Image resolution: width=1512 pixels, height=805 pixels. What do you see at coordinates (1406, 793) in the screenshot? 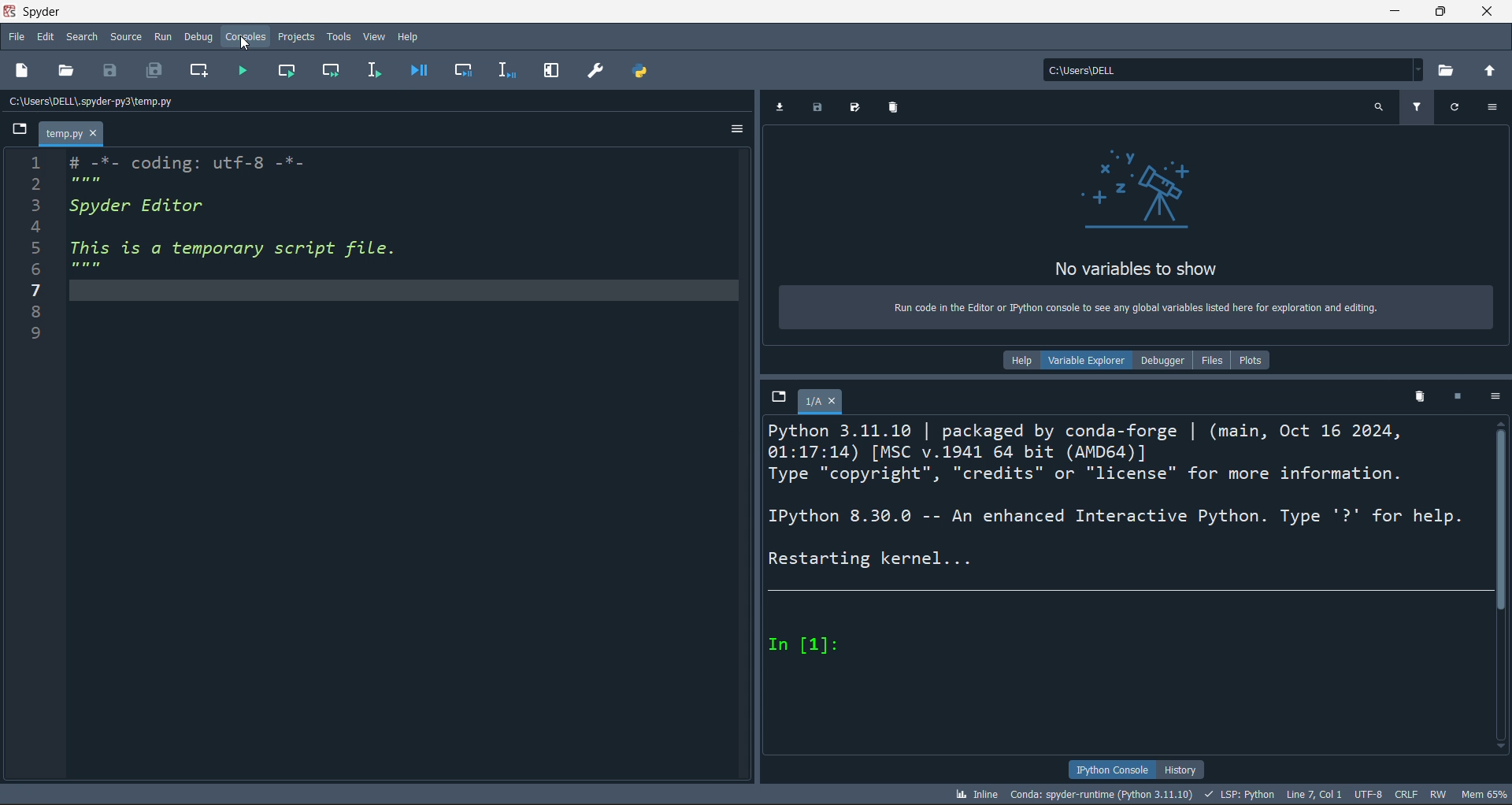
I see `crlf` at bounding box center [1406, 793].